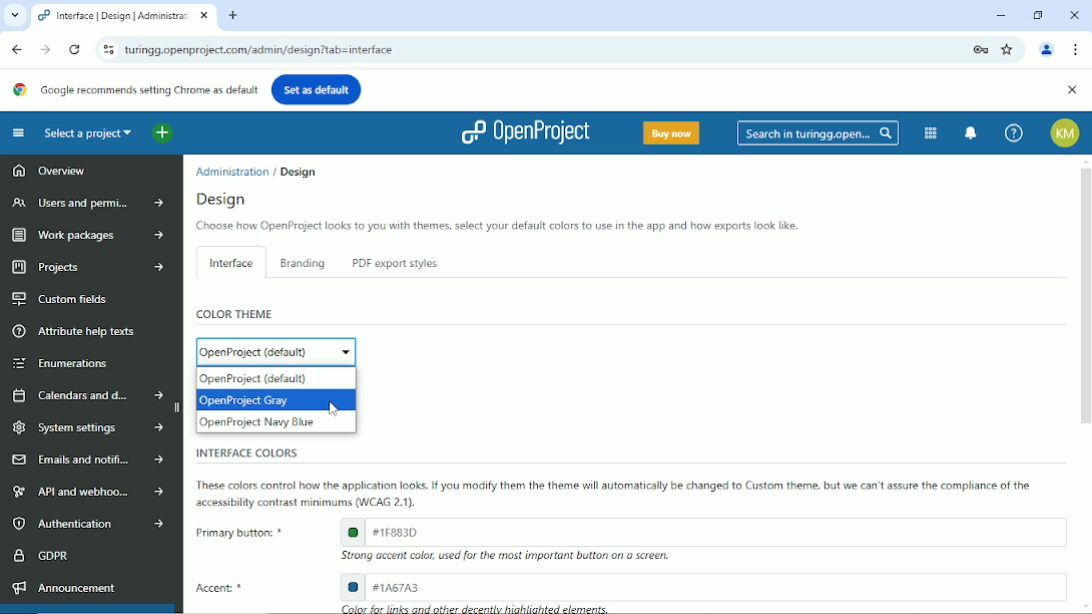 This screenshot has height=614, width=1092. I want to click on ll accessibility contrast minimums (WCAG 2.1)., so click(307, 503).